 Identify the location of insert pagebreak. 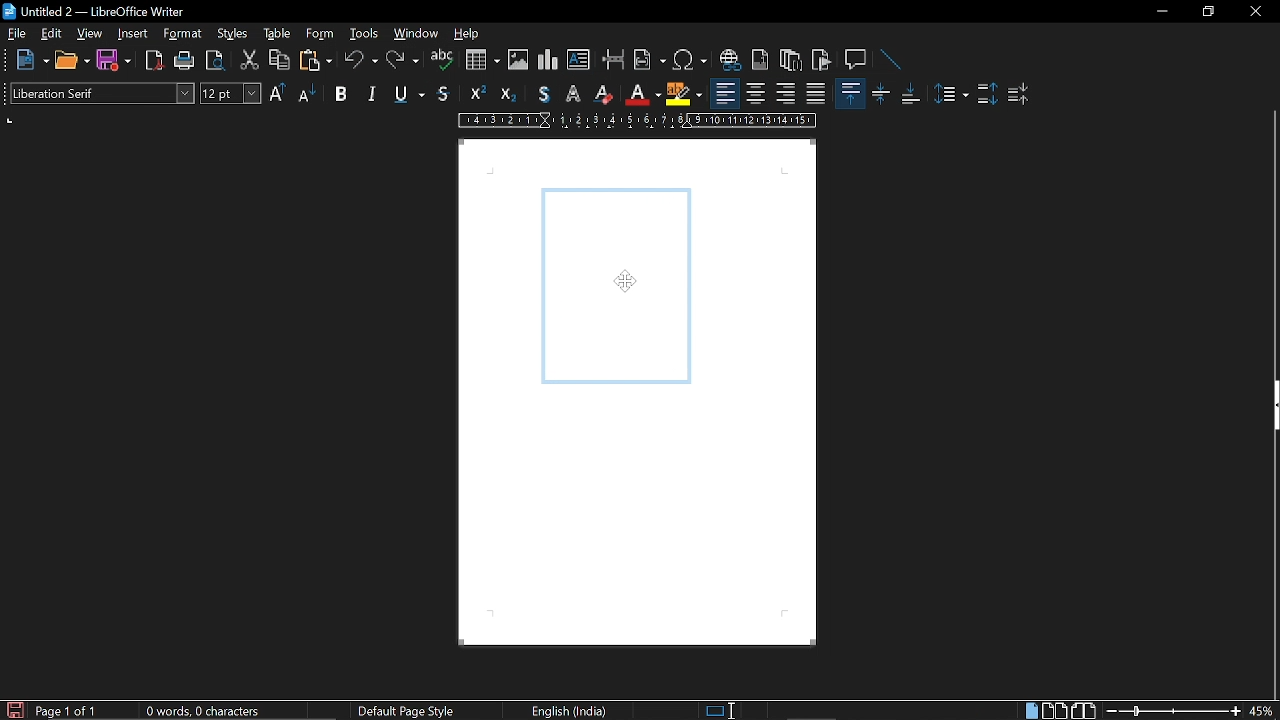
(614, 62).